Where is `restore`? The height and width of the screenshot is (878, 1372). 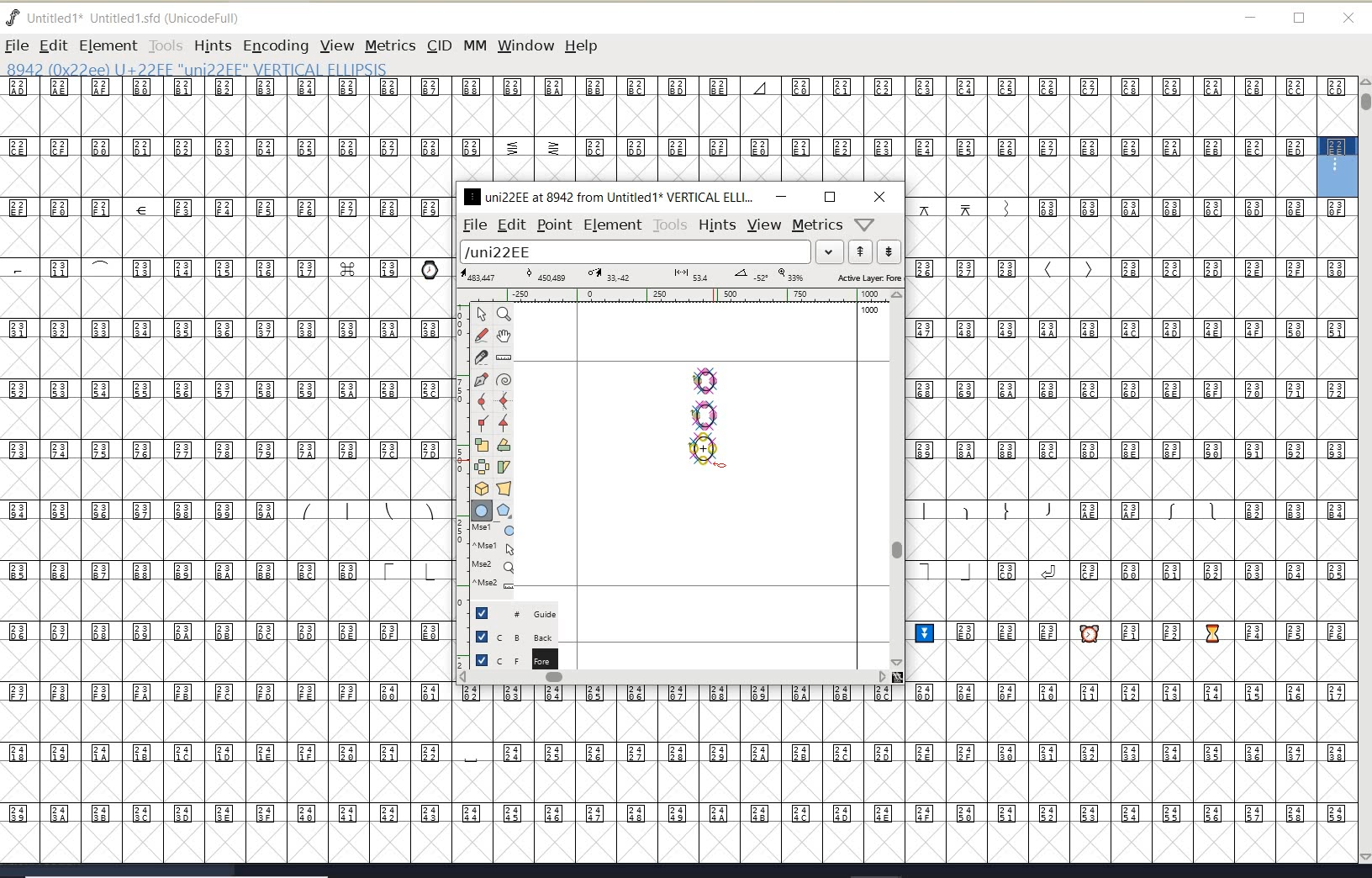
restore is located at coordinates (1300, 19).